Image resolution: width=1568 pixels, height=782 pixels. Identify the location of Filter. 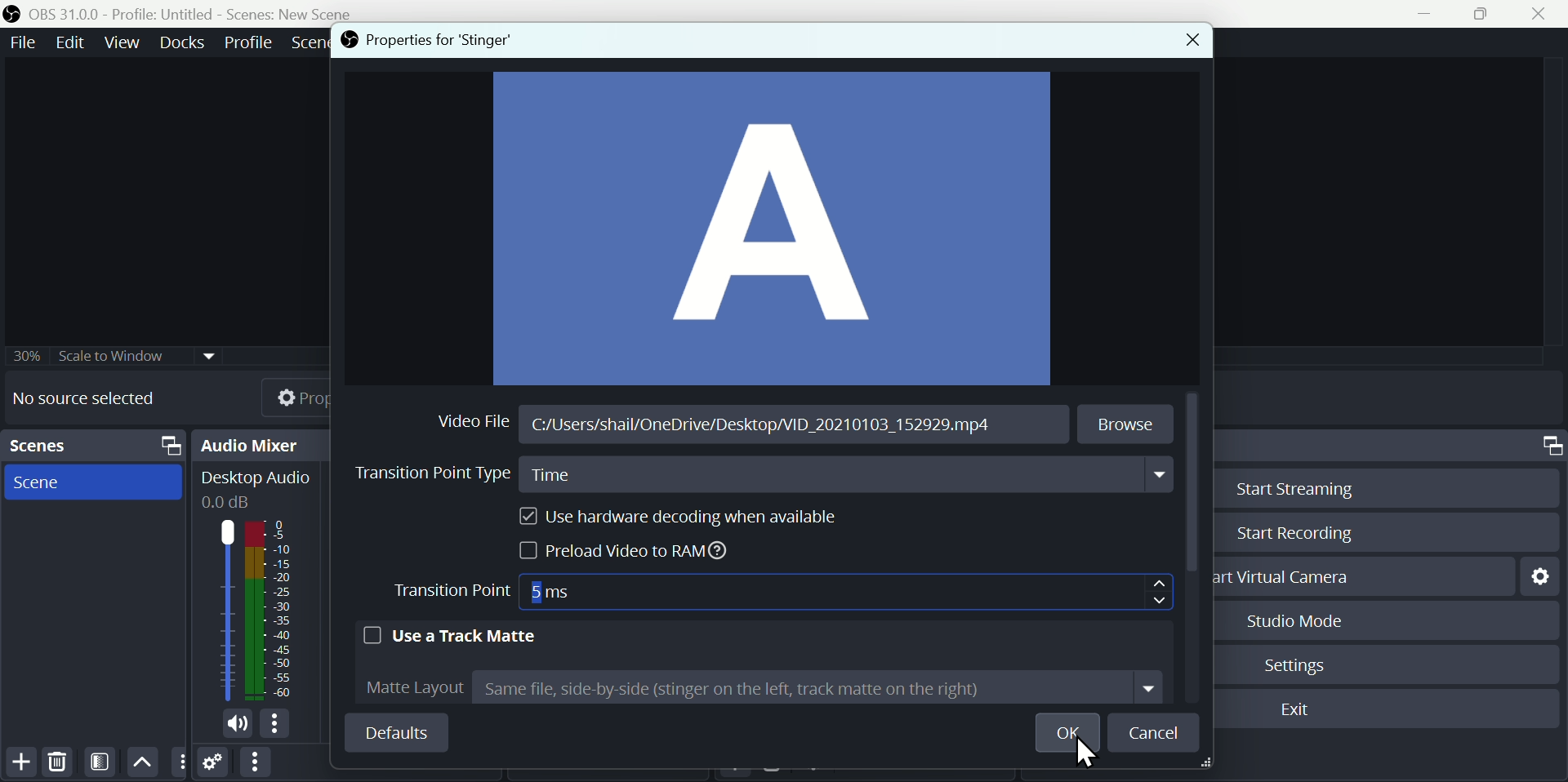
(103, 762).